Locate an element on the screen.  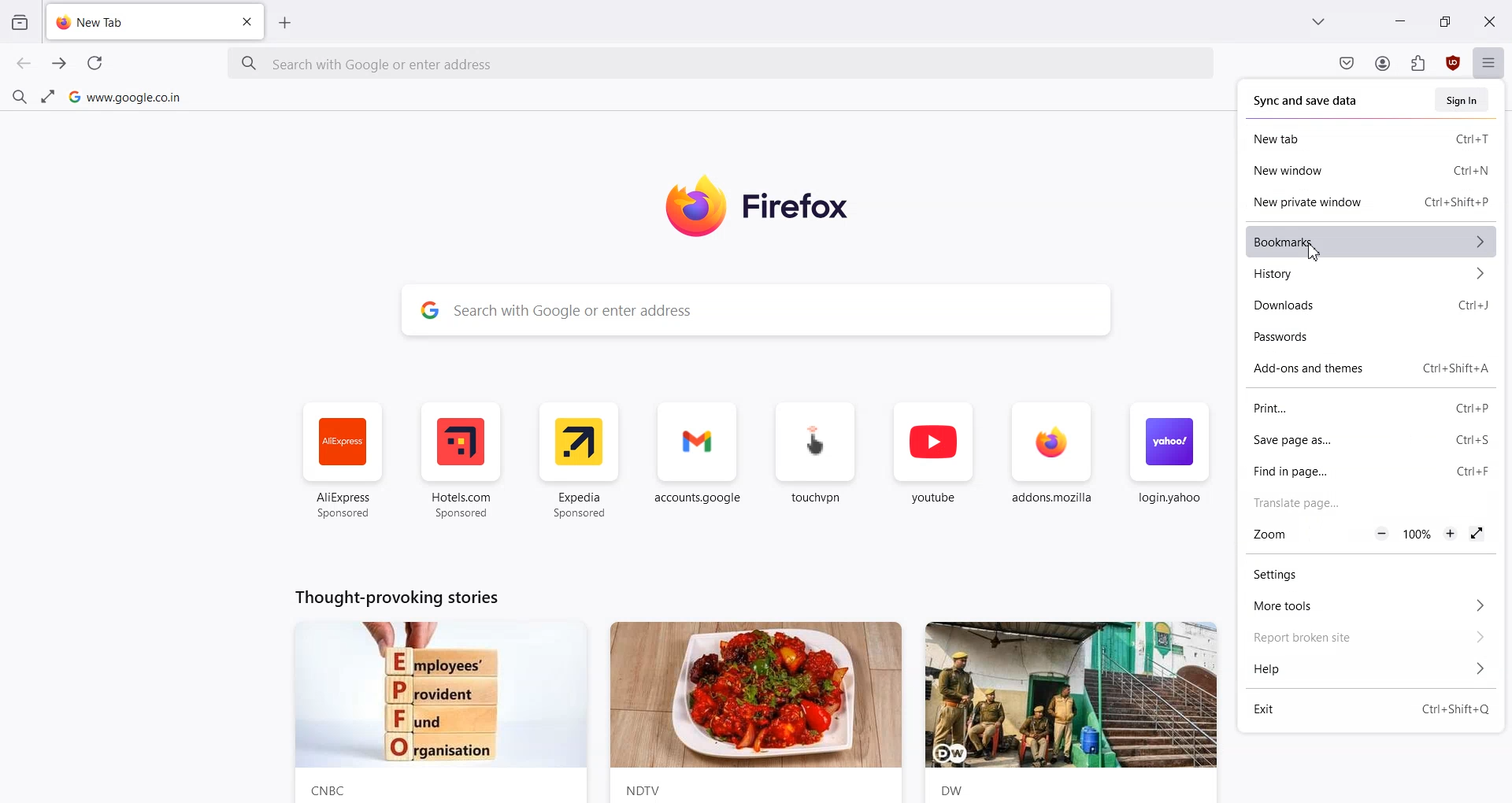
cursor is located at coordinates (1312, 254).